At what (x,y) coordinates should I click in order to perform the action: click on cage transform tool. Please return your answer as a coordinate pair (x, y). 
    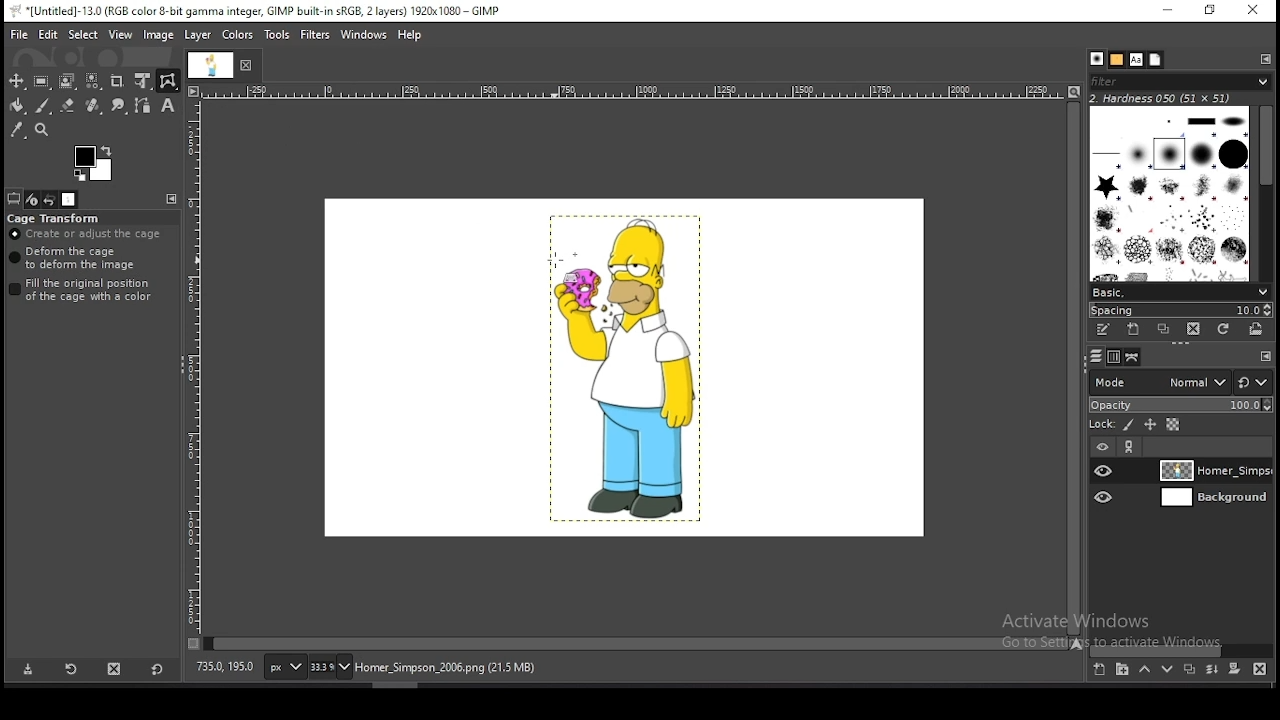
    Looking at the image, I should click on (168, 81).